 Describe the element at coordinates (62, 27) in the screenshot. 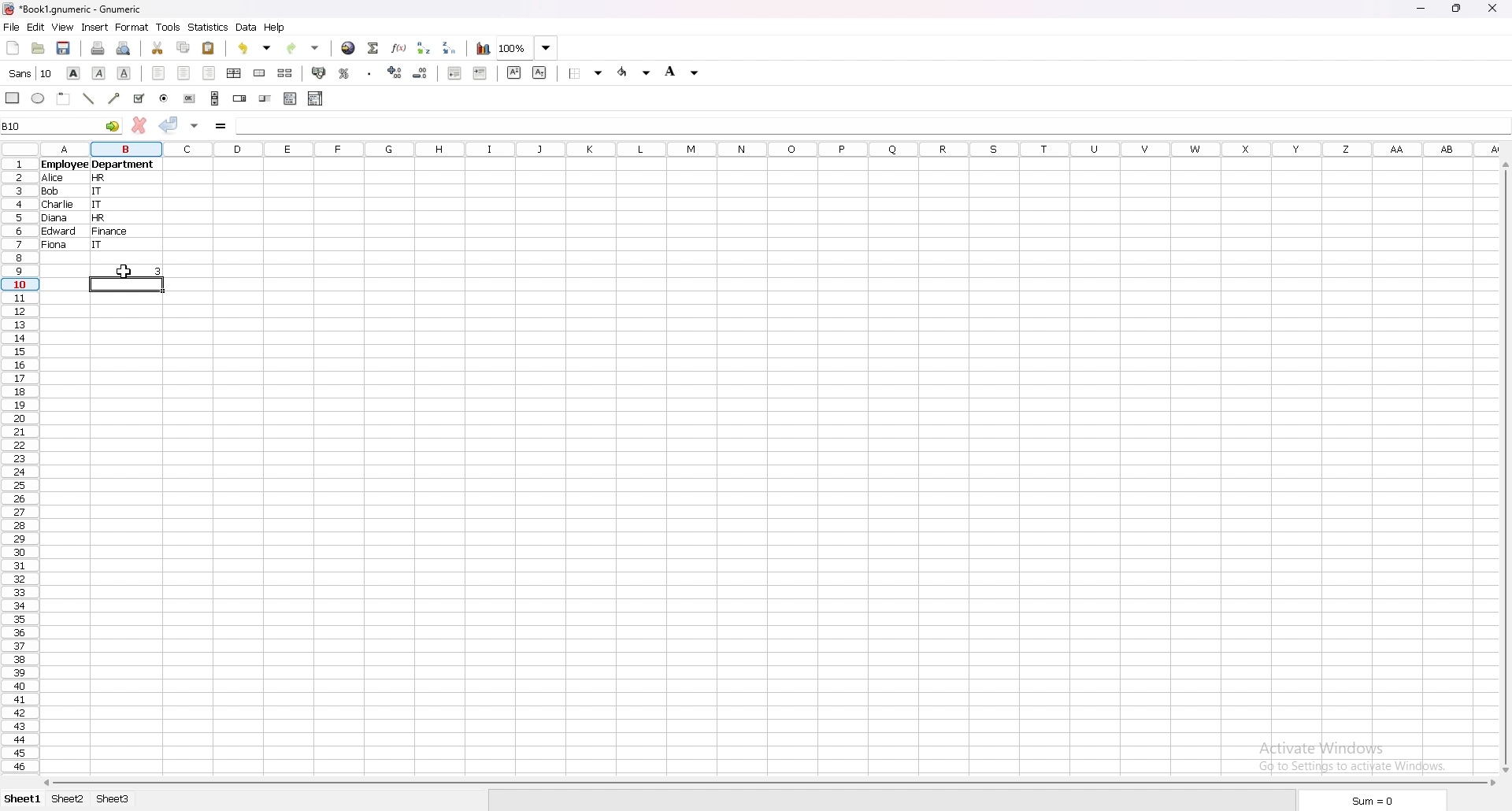

I see `view` at that location.